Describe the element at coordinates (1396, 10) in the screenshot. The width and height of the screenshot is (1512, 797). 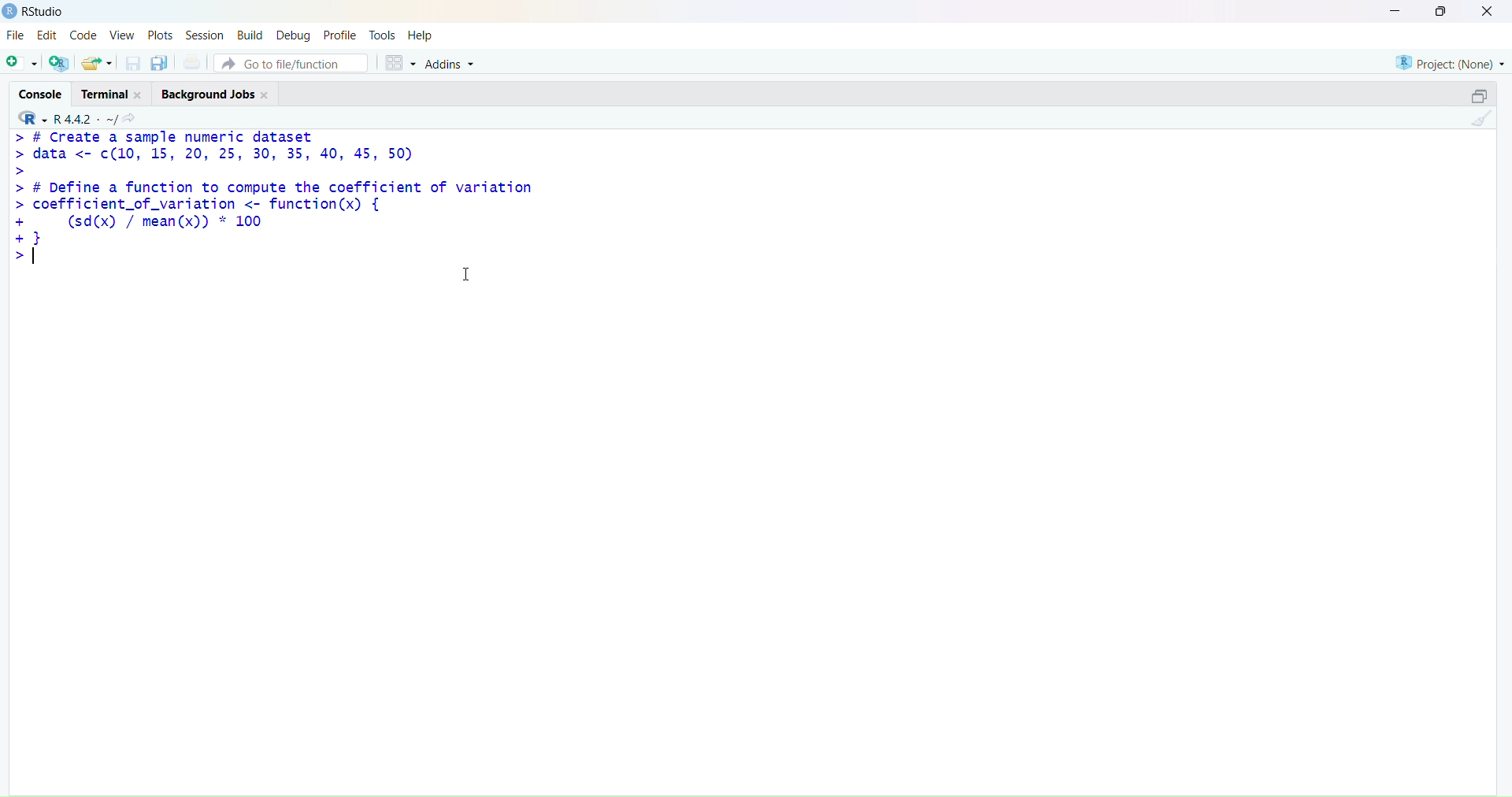
I see `minimise` at that location.